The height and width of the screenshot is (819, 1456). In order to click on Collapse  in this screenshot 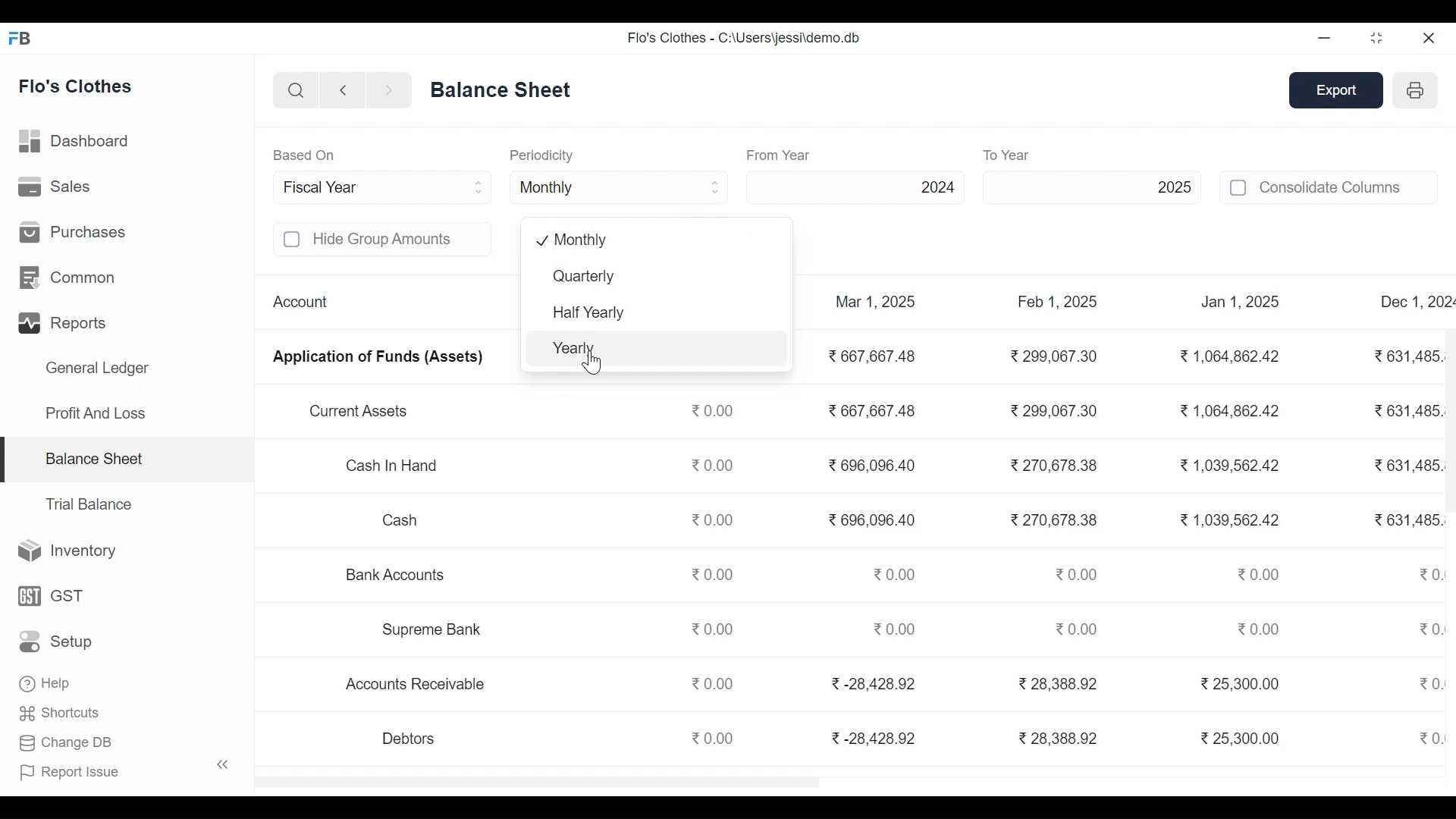, I will do `click(223, 764)`.